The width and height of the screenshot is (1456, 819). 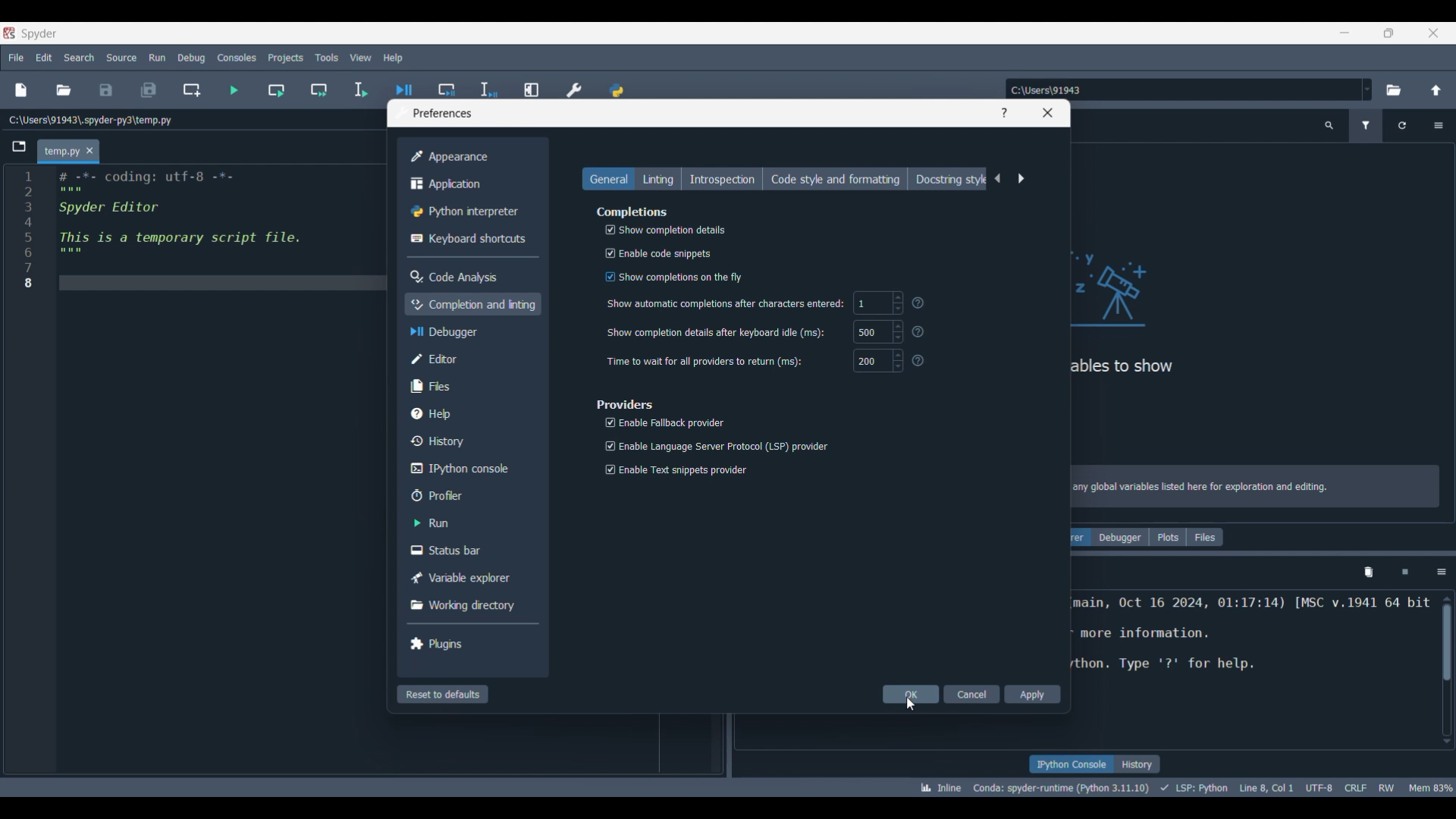 I want to click on History, so click(x=1137, y=764).